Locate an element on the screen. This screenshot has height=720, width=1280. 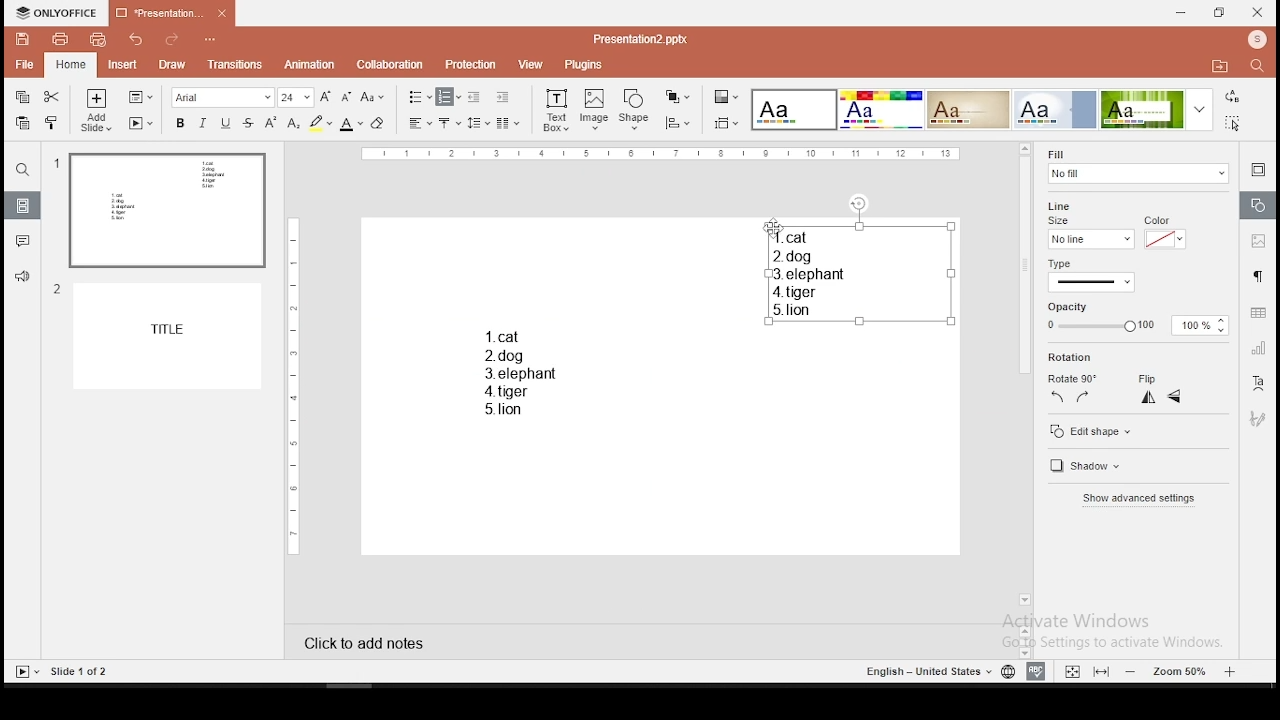
add slide is located at coordinates (97, 110).